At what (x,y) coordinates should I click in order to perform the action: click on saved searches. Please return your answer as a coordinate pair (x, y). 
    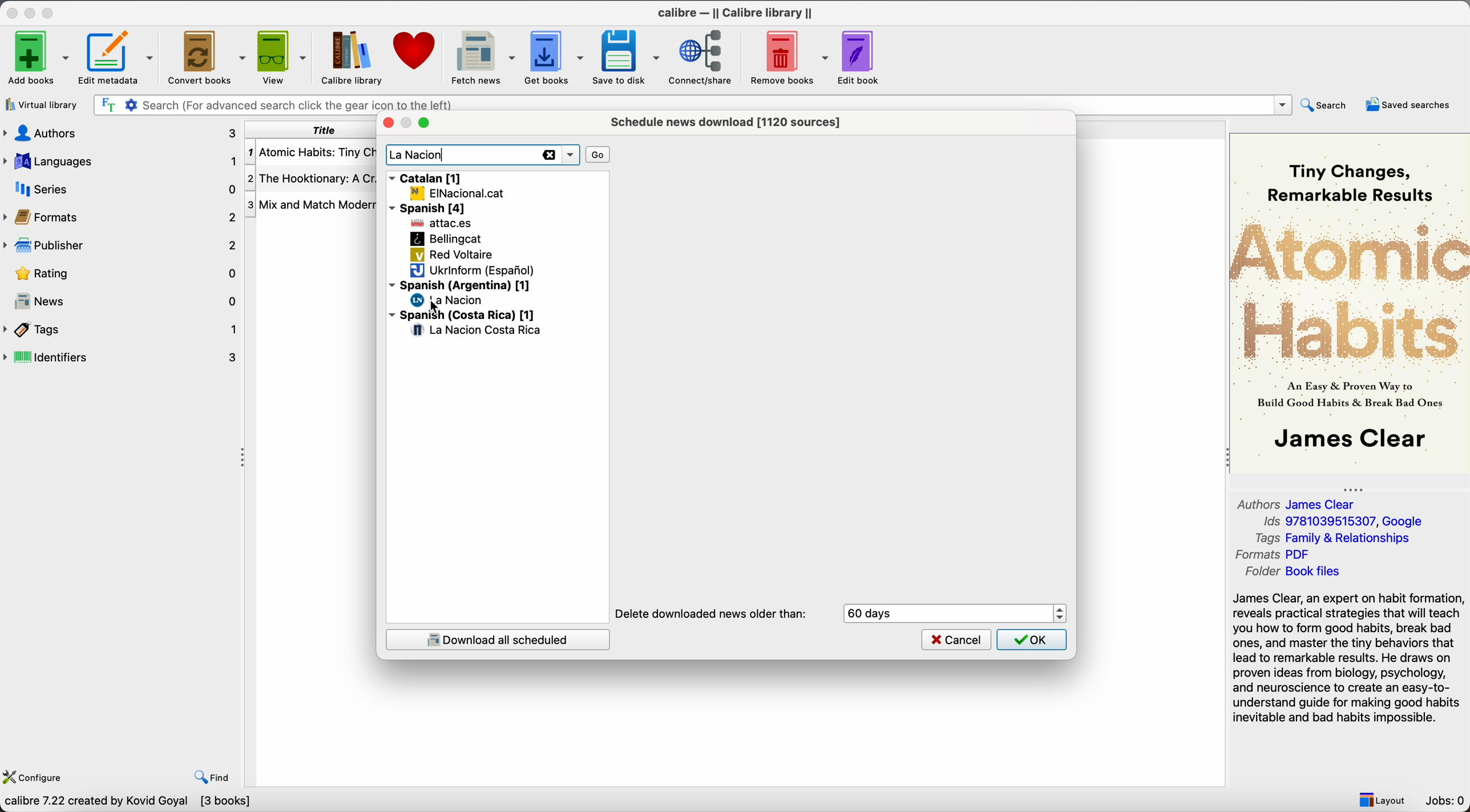
    Looking at the image, I should click on (1411, 104).